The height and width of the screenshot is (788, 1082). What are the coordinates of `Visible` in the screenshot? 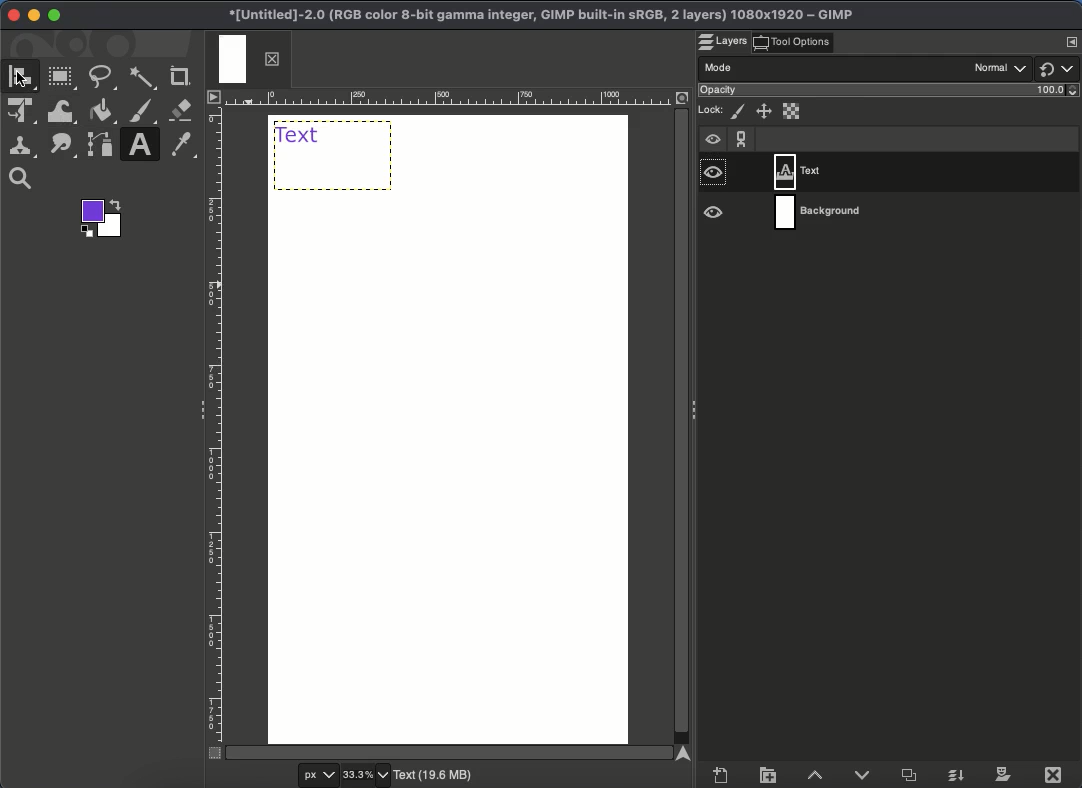 It's located at (713, 175).